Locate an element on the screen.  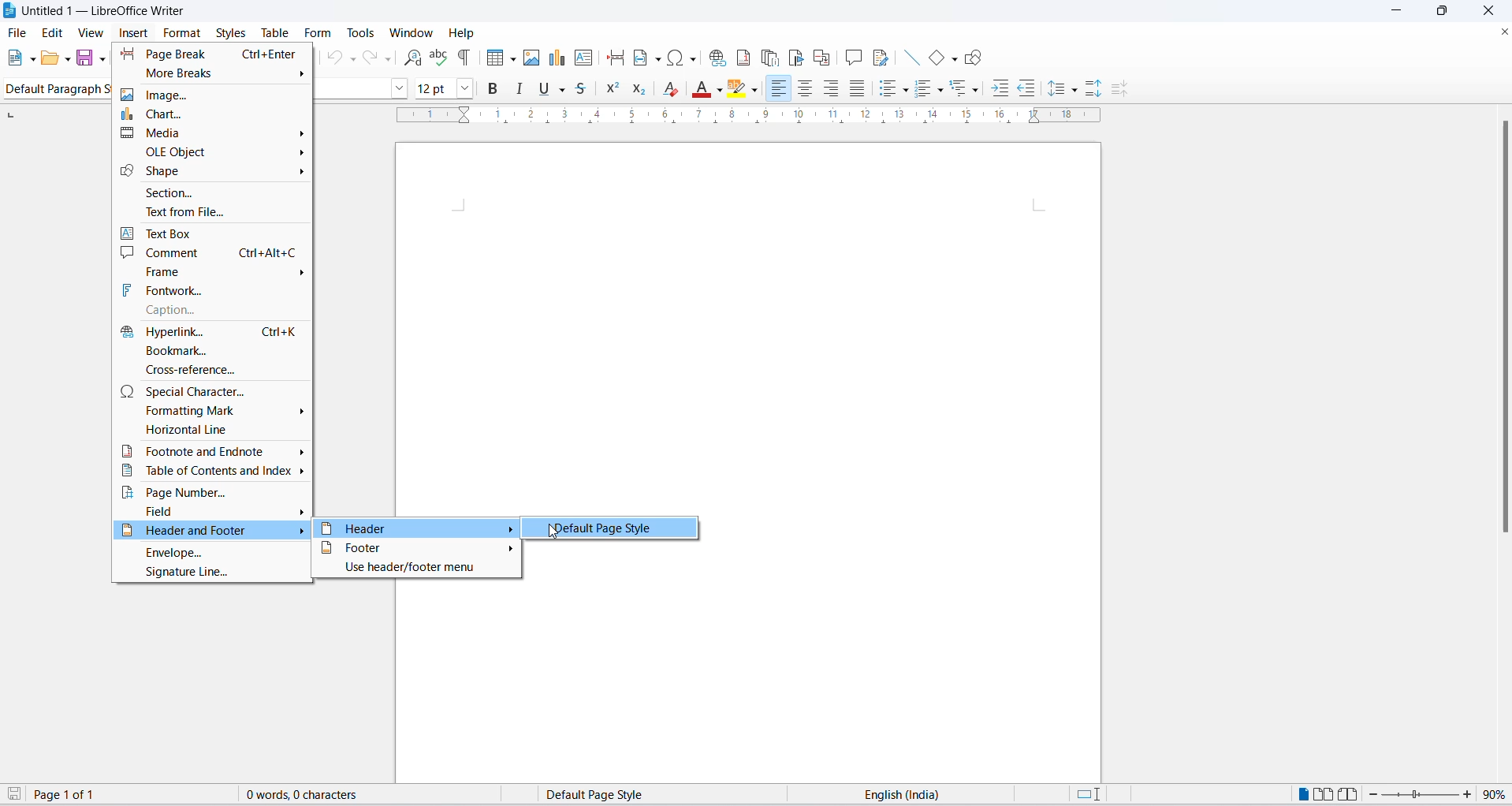
hyperlink is located at coordinates (207, 330).